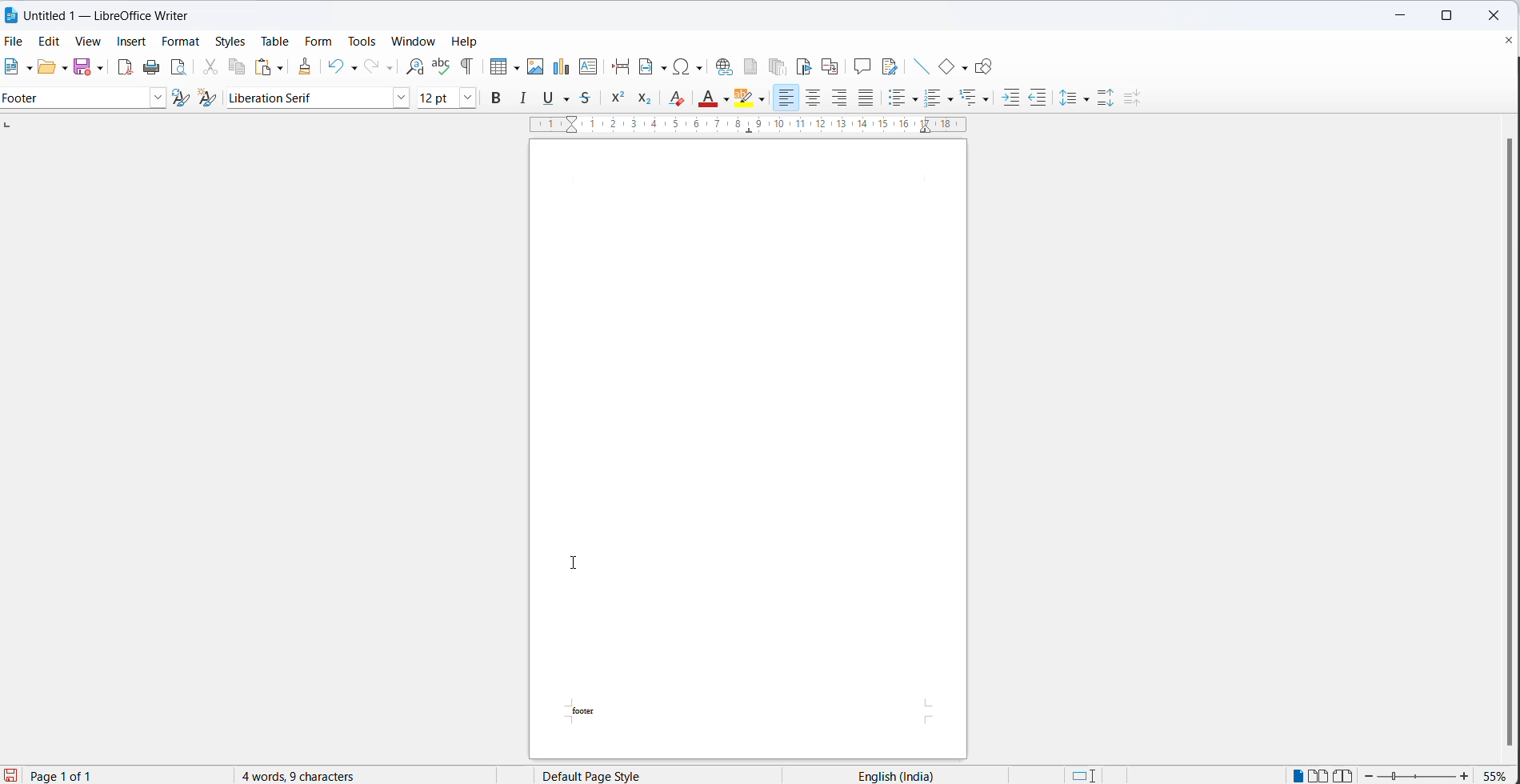 This screenshot has width=1520, height=784. Describe the element at coordinates (787, 98) in the screenshot. I see `text align left` at that location.